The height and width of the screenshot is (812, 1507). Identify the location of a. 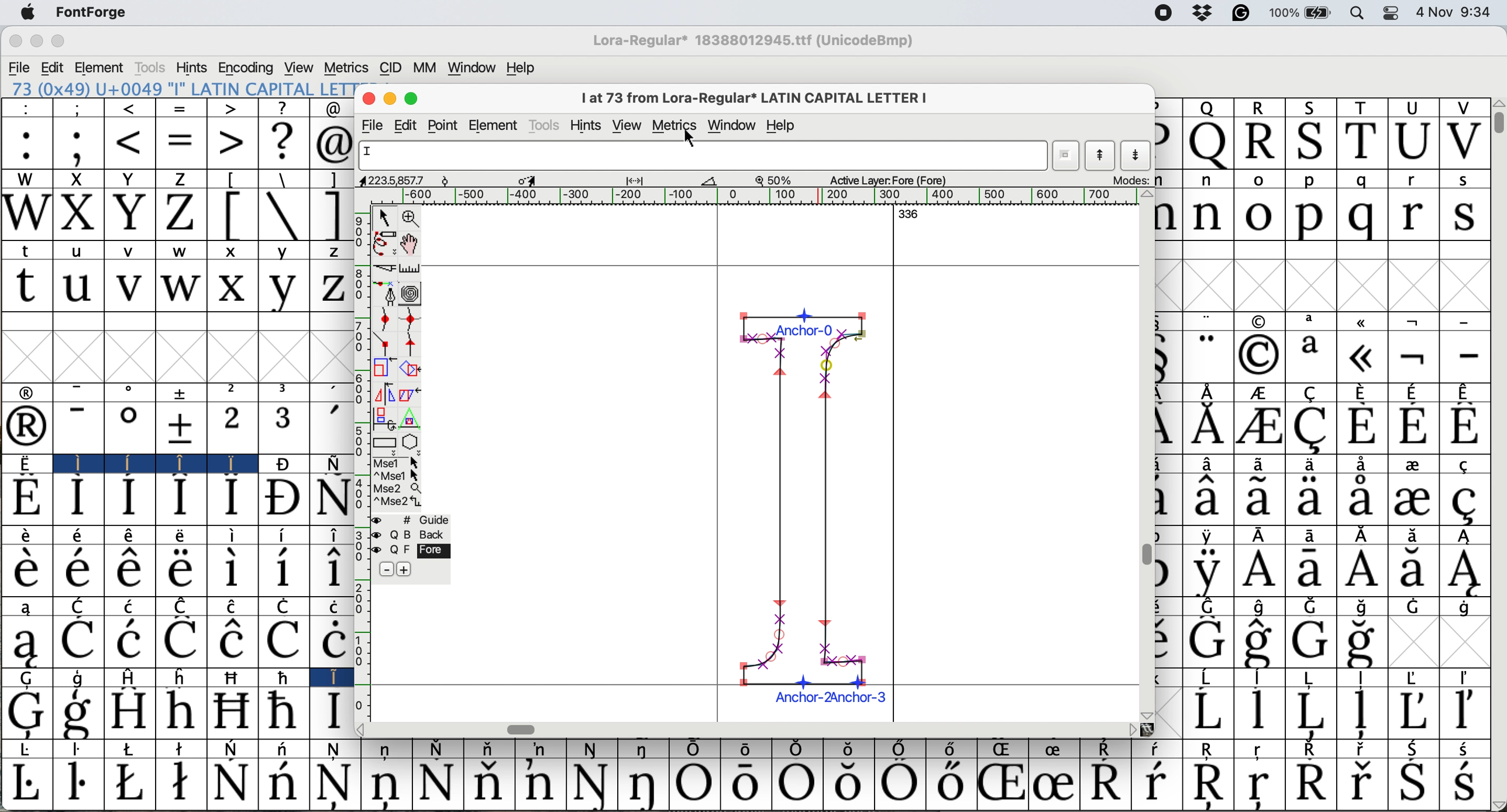
(27, 605).